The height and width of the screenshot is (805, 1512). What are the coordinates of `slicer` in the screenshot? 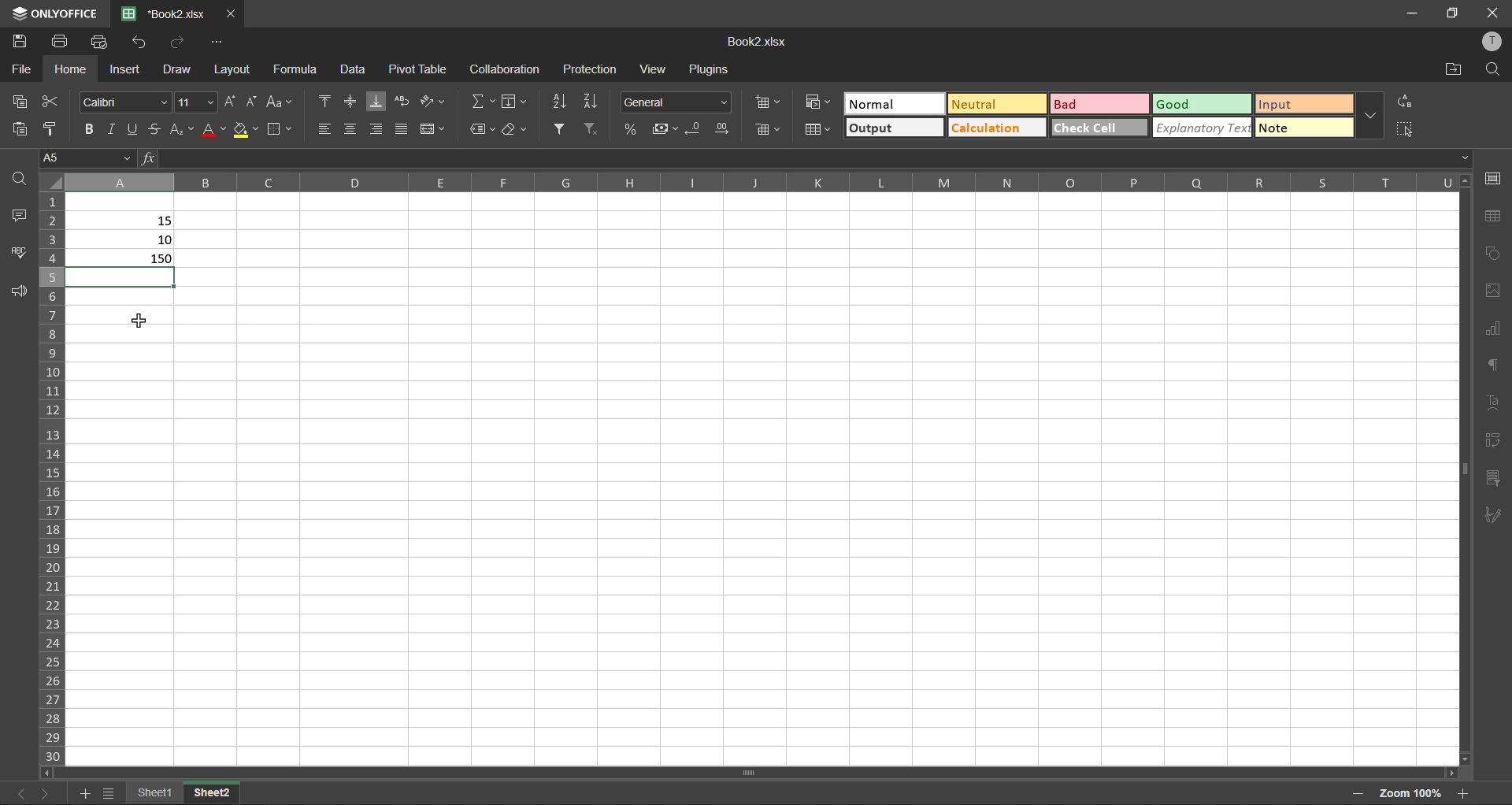 It's located at (1495, 480).